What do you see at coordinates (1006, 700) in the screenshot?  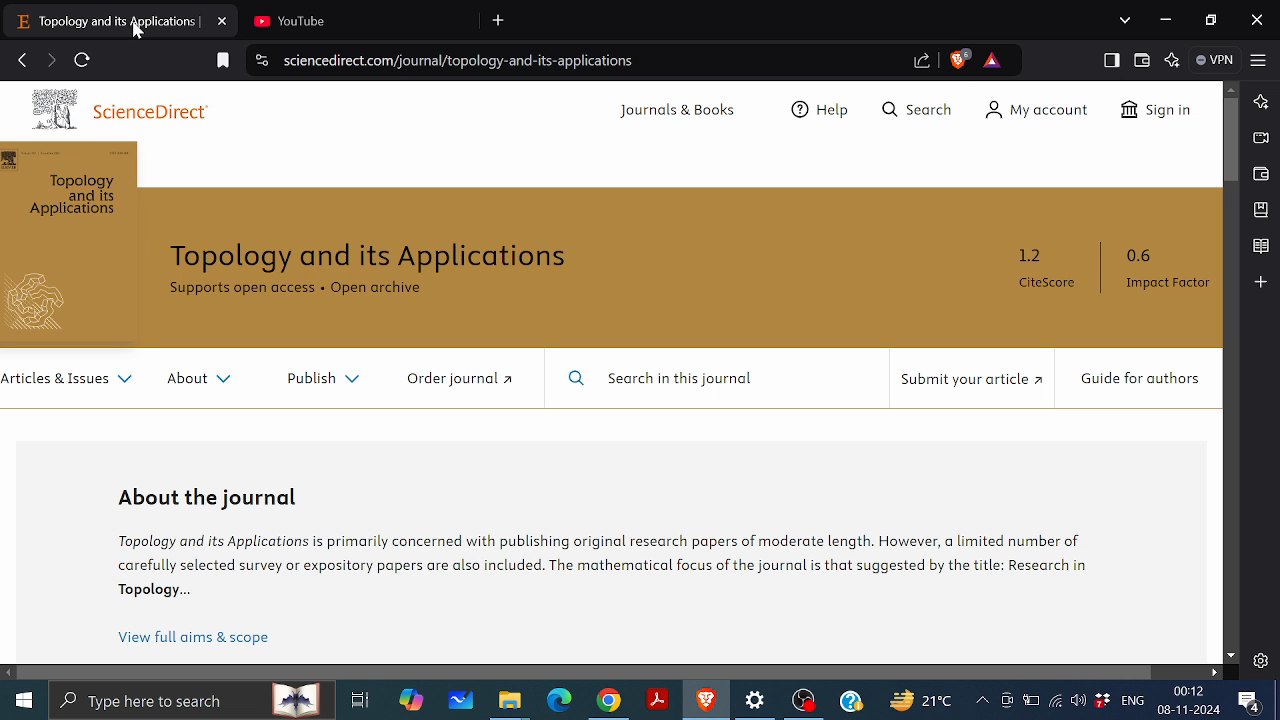 I see `Meet now` at bounding box center [1006, 700].